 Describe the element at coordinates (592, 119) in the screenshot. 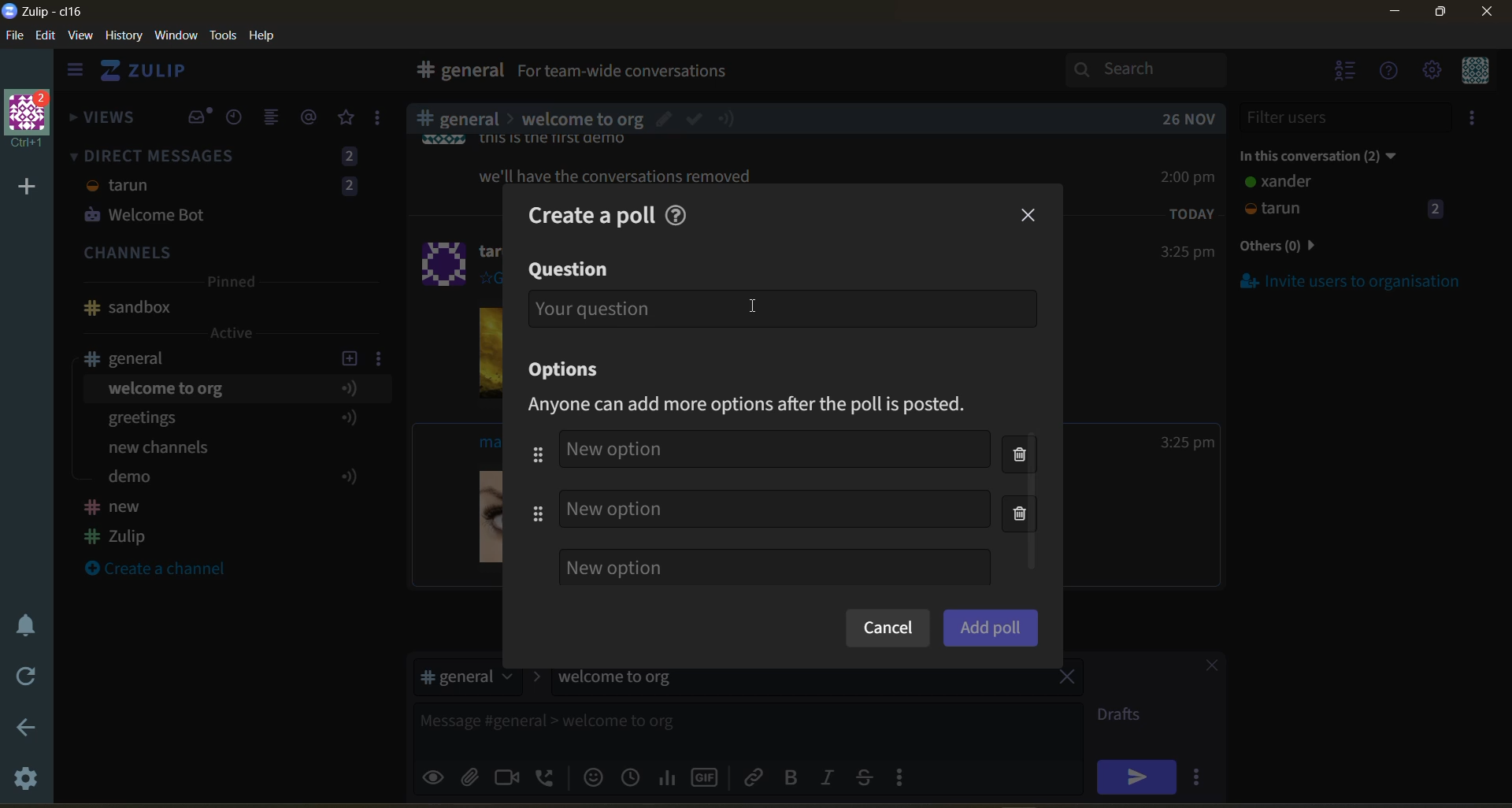

I see `` at that location.